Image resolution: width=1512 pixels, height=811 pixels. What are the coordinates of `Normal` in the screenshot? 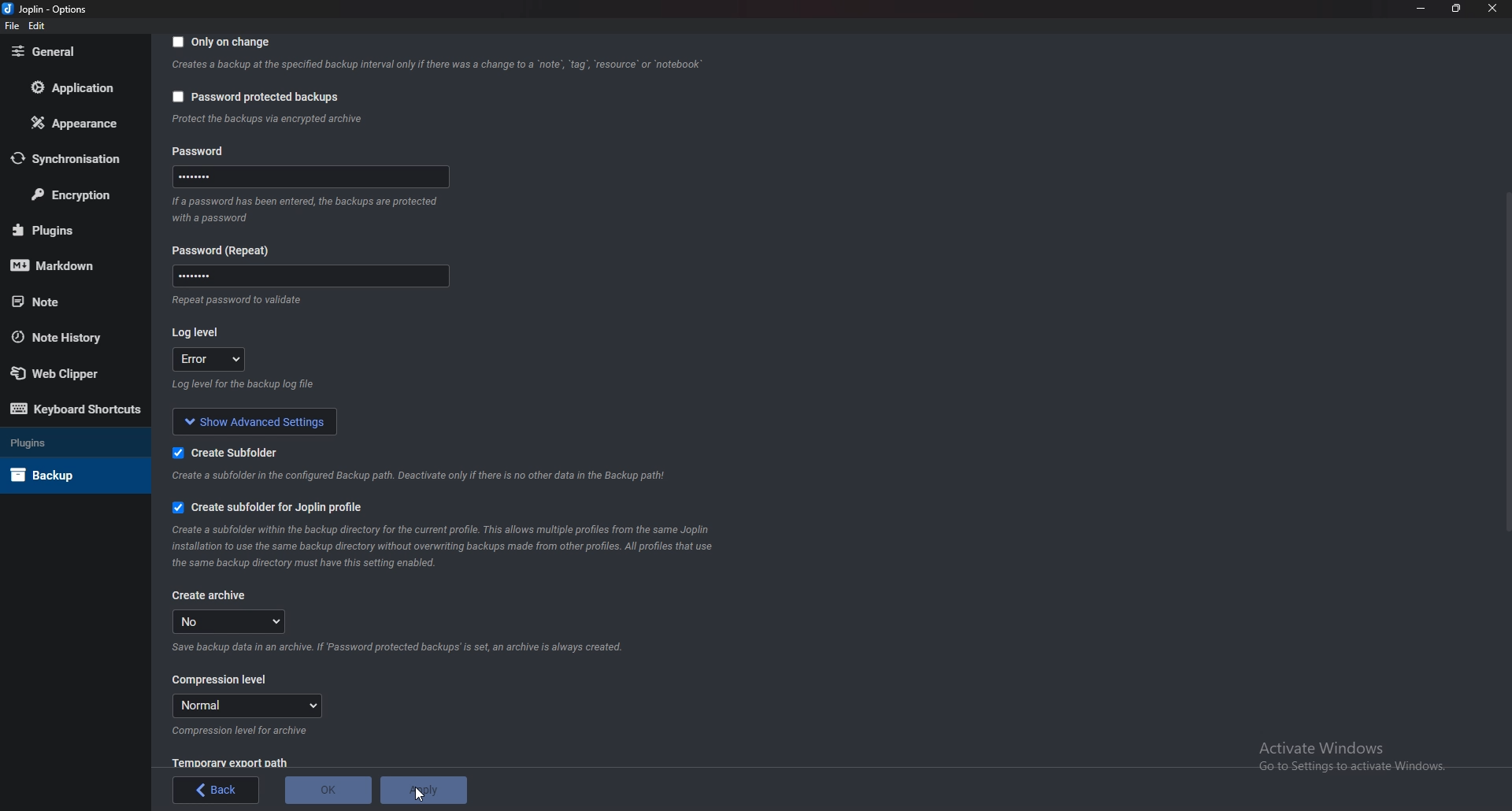 It's located at (246, 705).